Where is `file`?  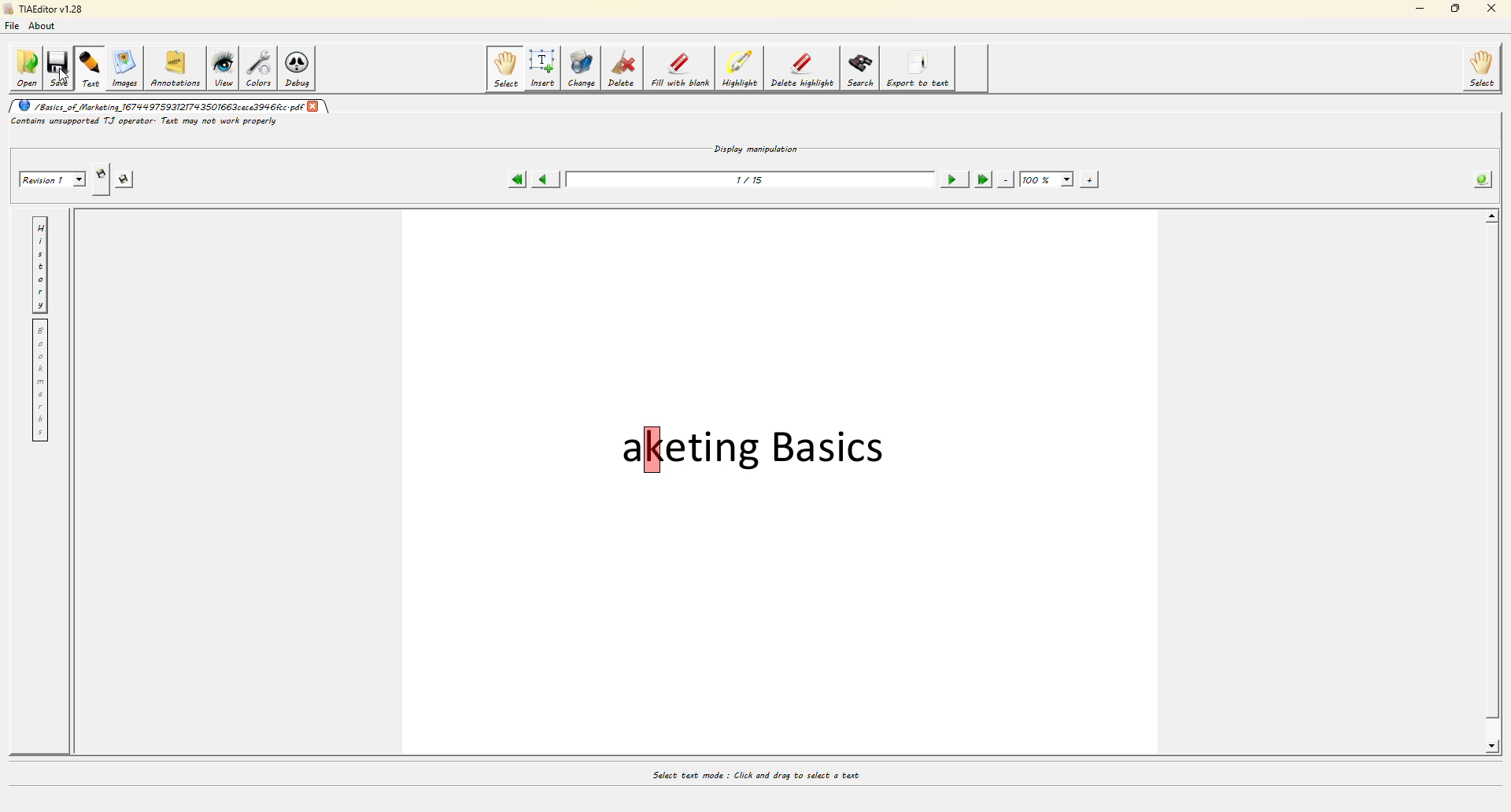
file is located at coordinates (16, 28).